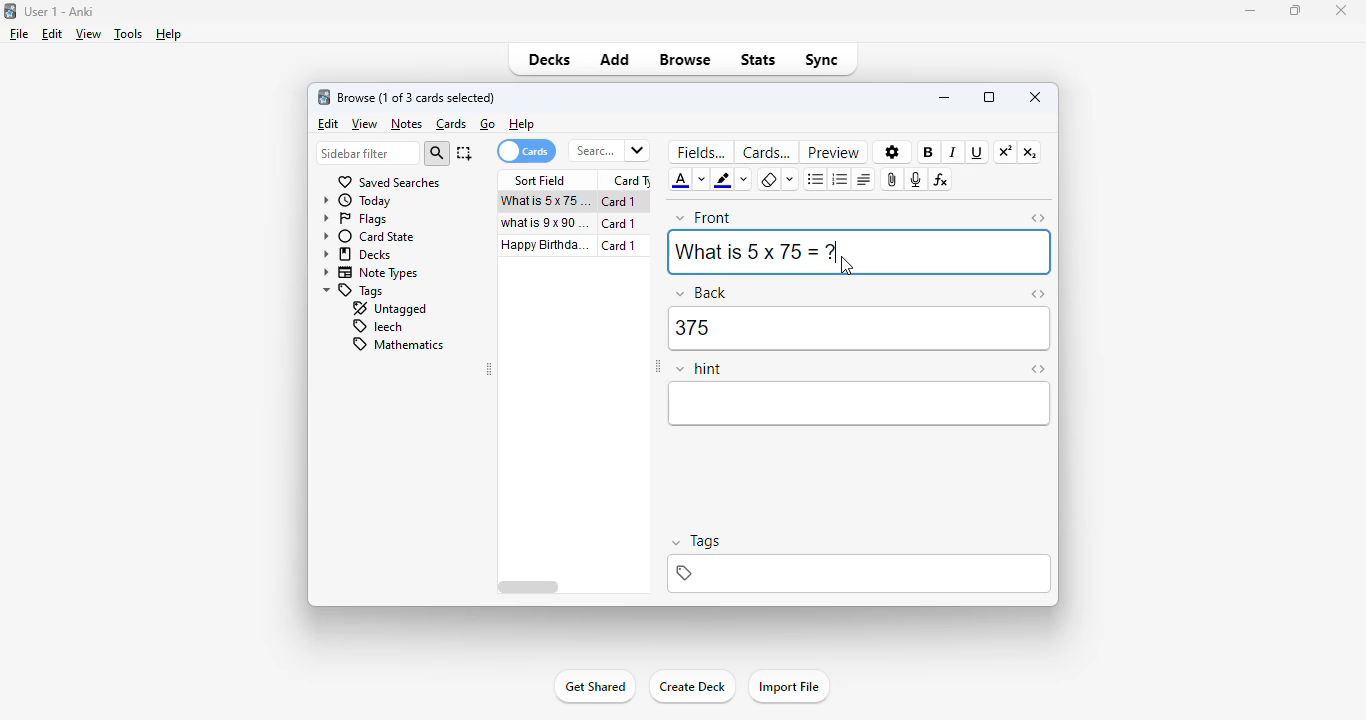 The width and height of the screenshot is (1366, 720). Describe the element at coordinates (544, 245) in the screenshot. I see `happy birthday song!!!.mp3` at that location.